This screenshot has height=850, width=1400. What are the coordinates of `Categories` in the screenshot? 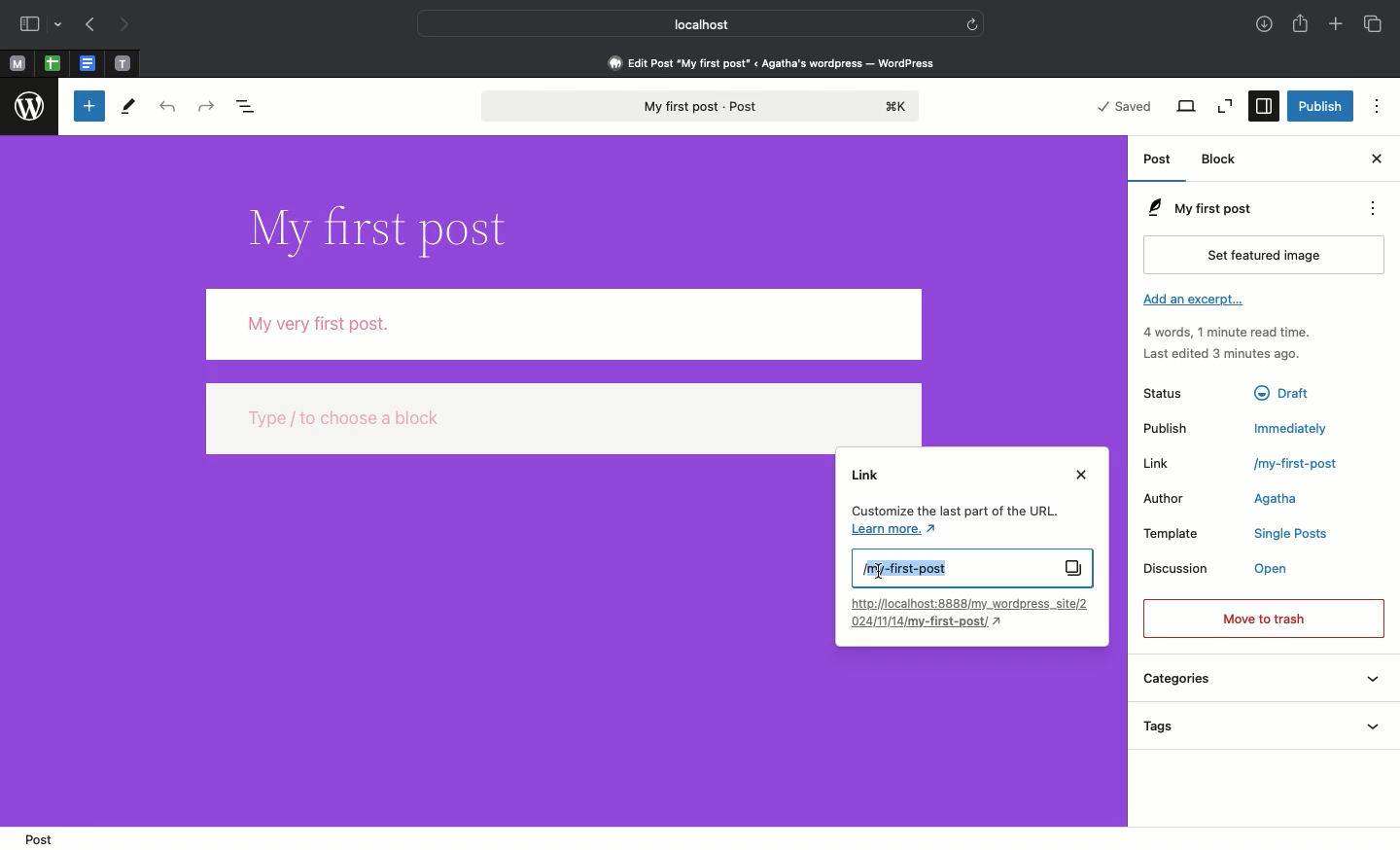 It's located at (1261, 680).